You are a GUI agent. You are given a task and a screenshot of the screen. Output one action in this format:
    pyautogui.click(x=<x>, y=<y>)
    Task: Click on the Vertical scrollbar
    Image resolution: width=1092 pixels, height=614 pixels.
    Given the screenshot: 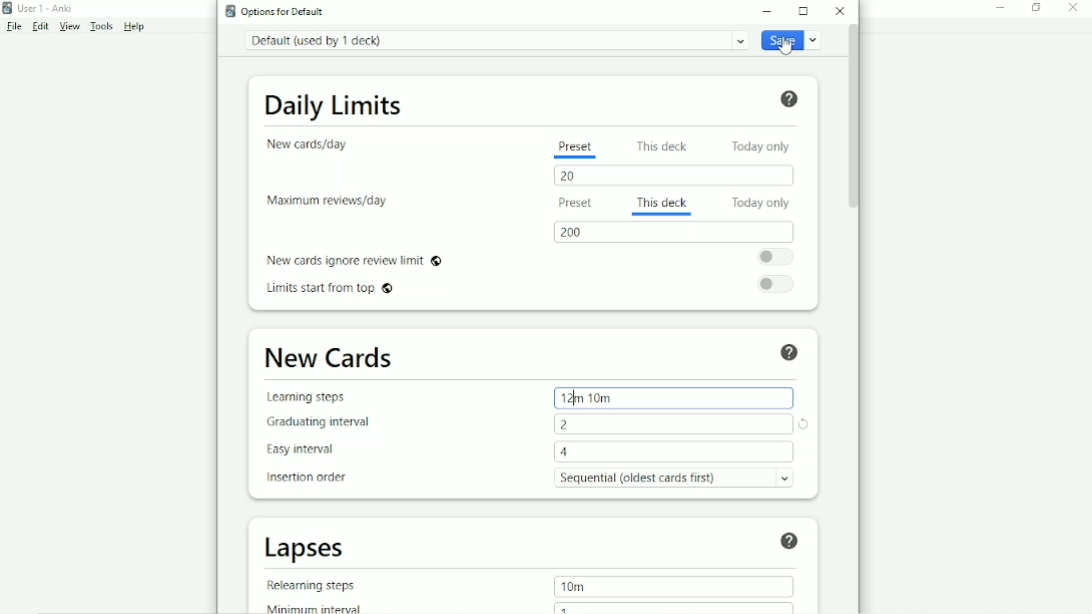 What is the action you would take?
    pyautogui.click(x=854, y=125)
    